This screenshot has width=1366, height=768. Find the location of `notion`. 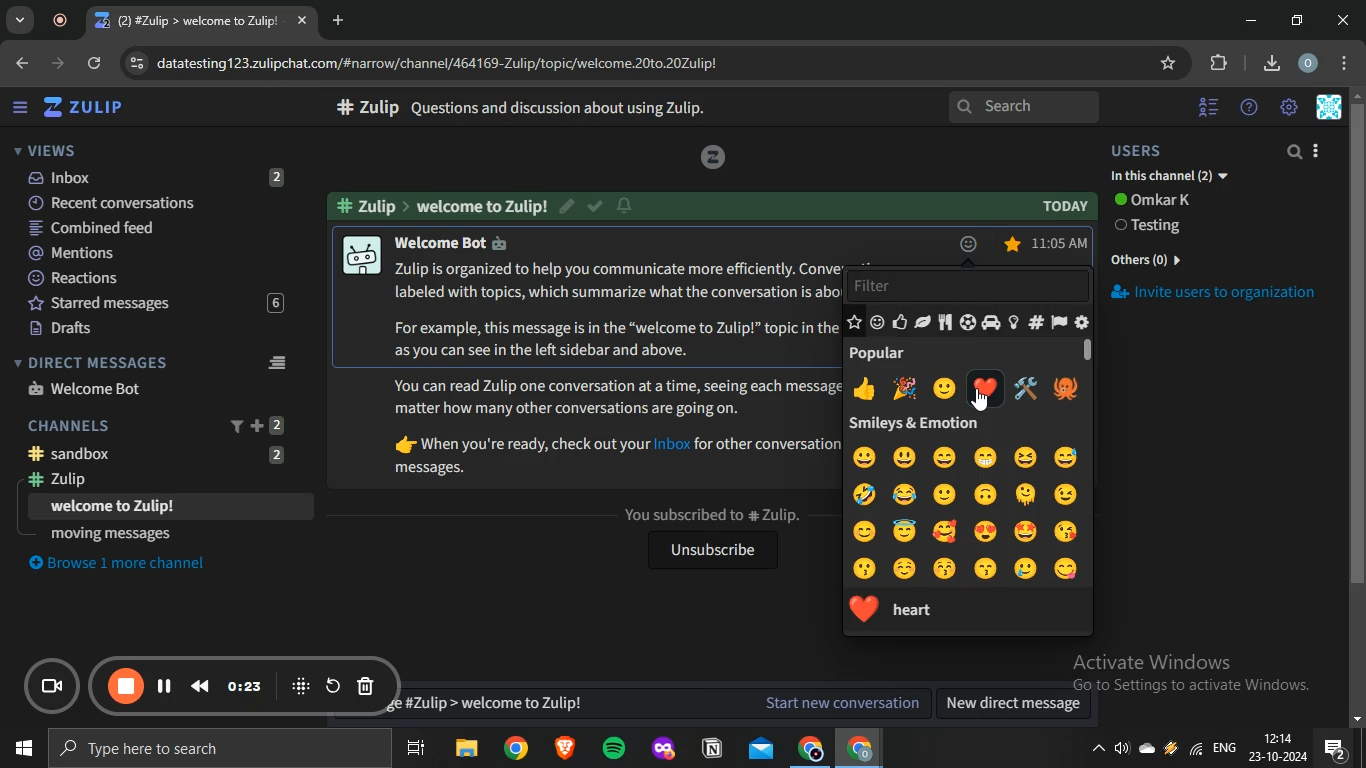

notion is located at coordinates (714, 749).